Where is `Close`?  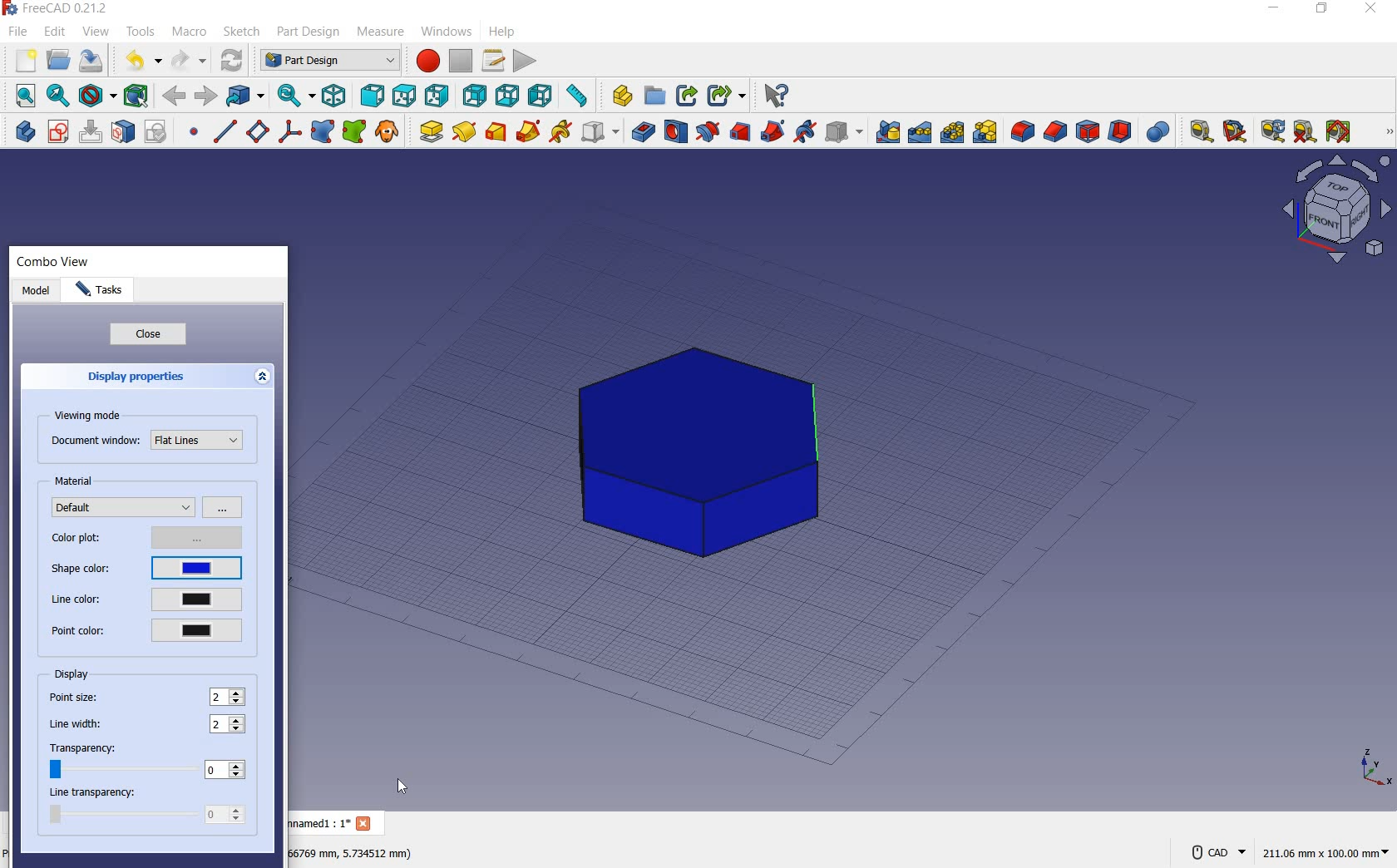 Close is located at coordinates (366, 825).